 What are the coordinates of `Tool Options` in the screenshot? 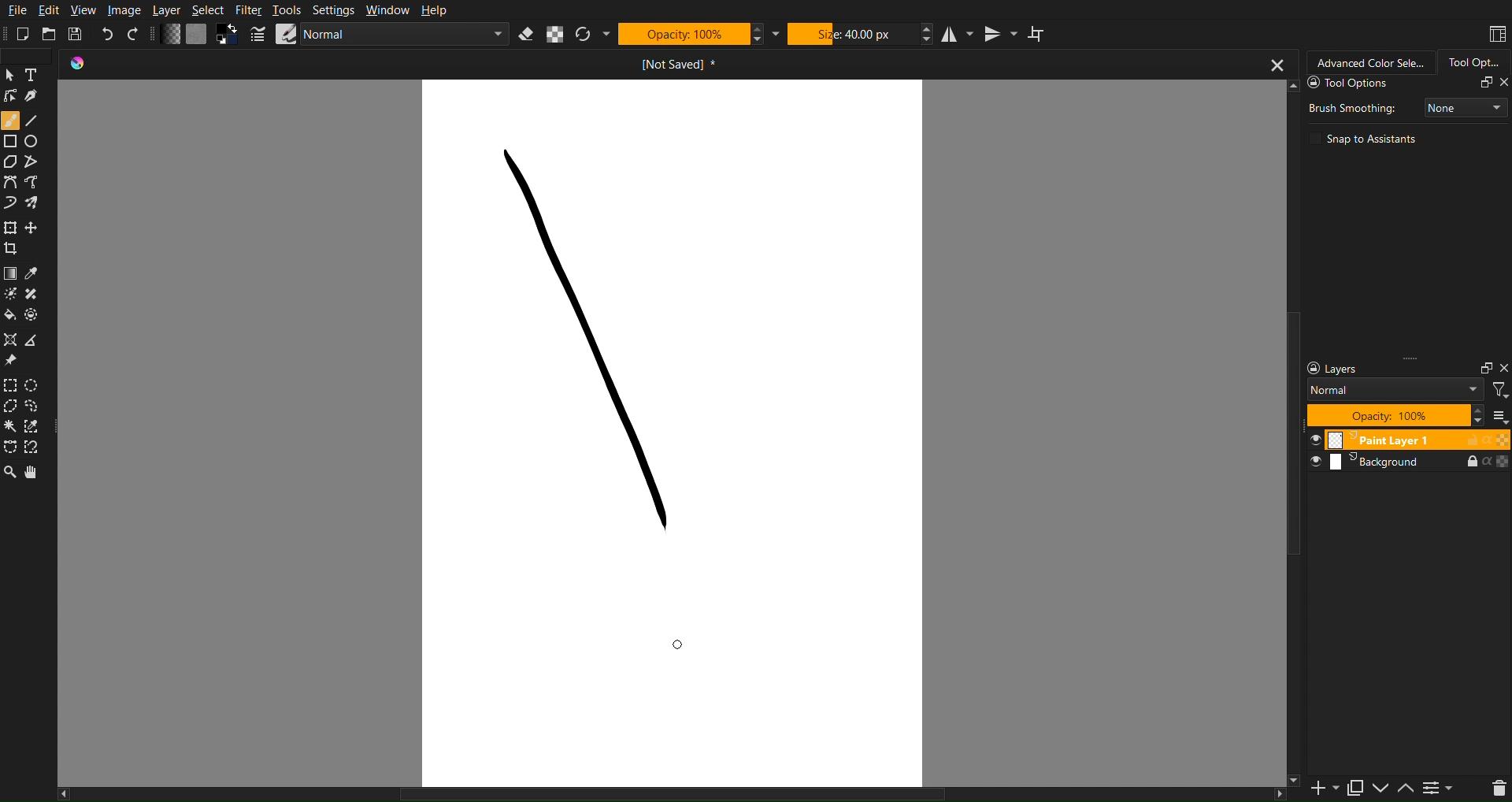 It's located at (1381, 84).